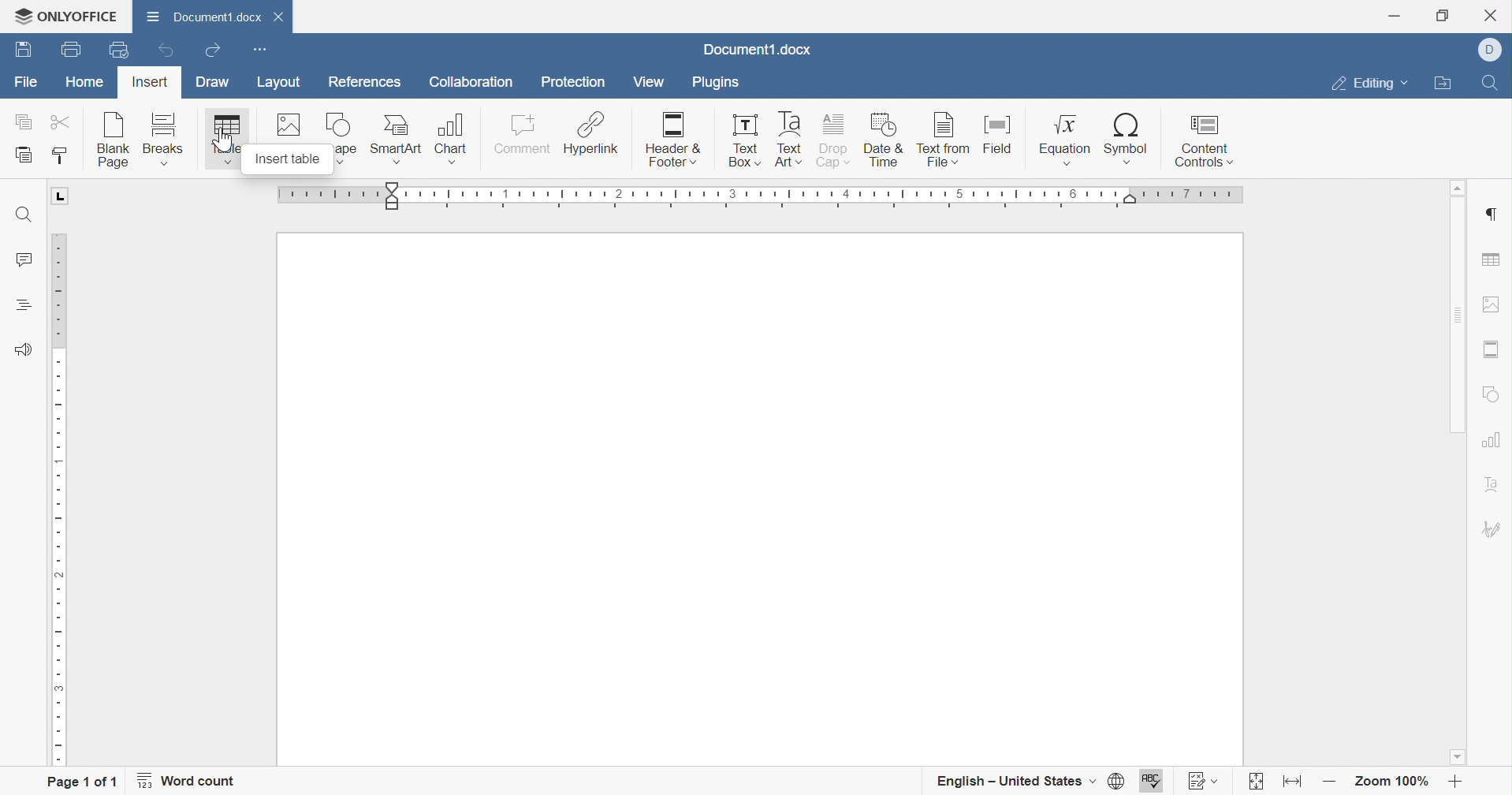  I want to click on Quick print, so click(120, 50).